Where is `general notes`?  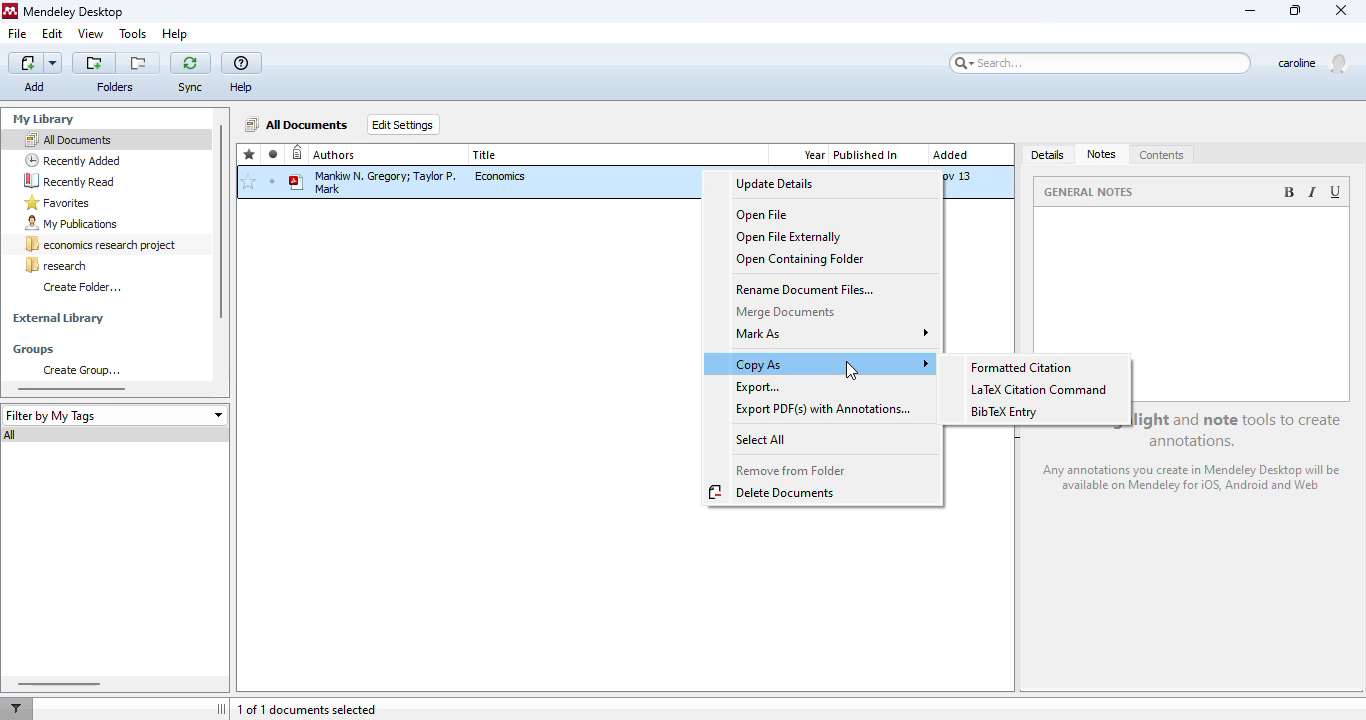
general notes is located at coordinates (1092, 191).